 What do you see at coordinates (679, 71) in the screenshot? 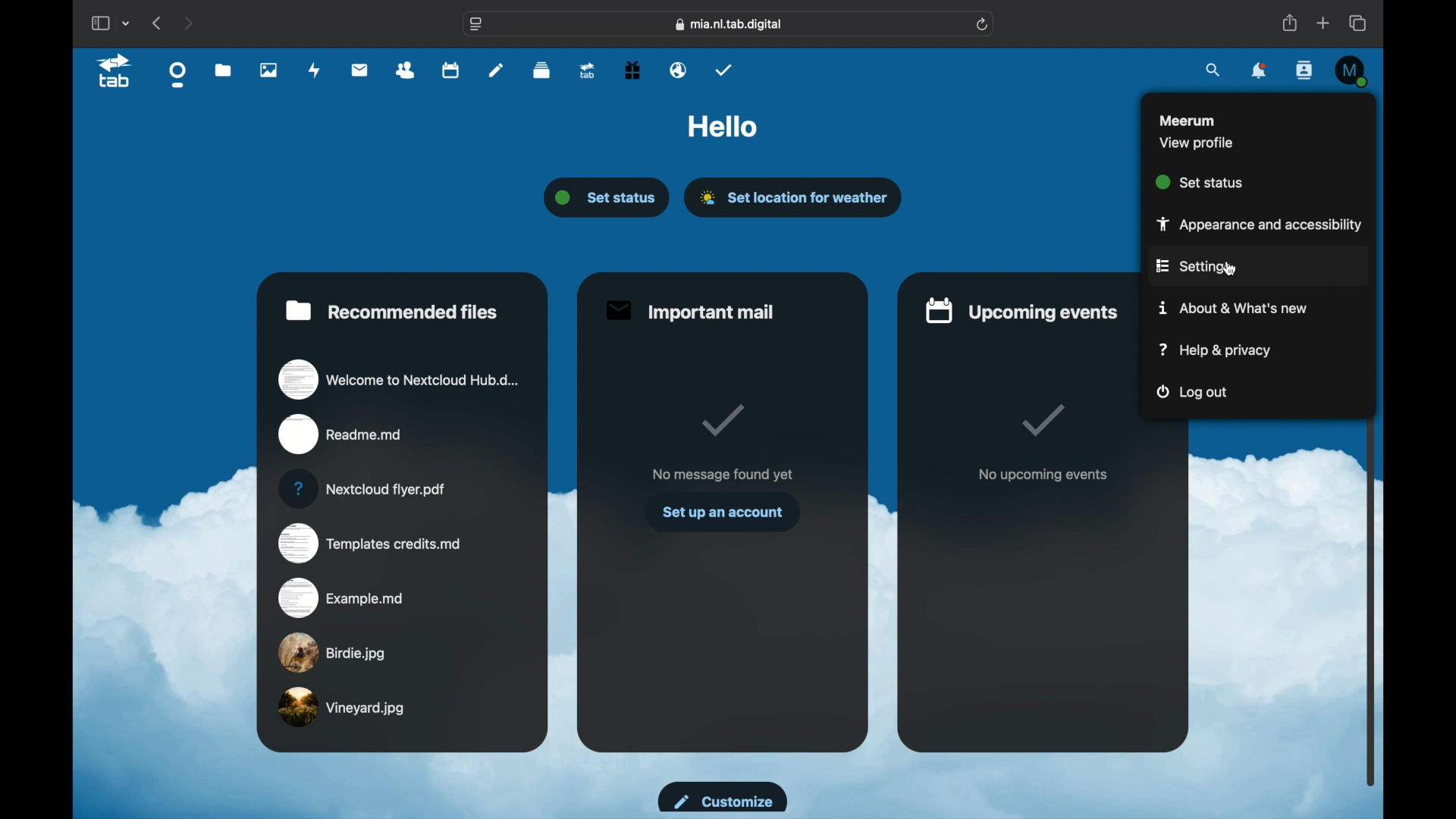
I see `emails` at bounding box center [679, 71].